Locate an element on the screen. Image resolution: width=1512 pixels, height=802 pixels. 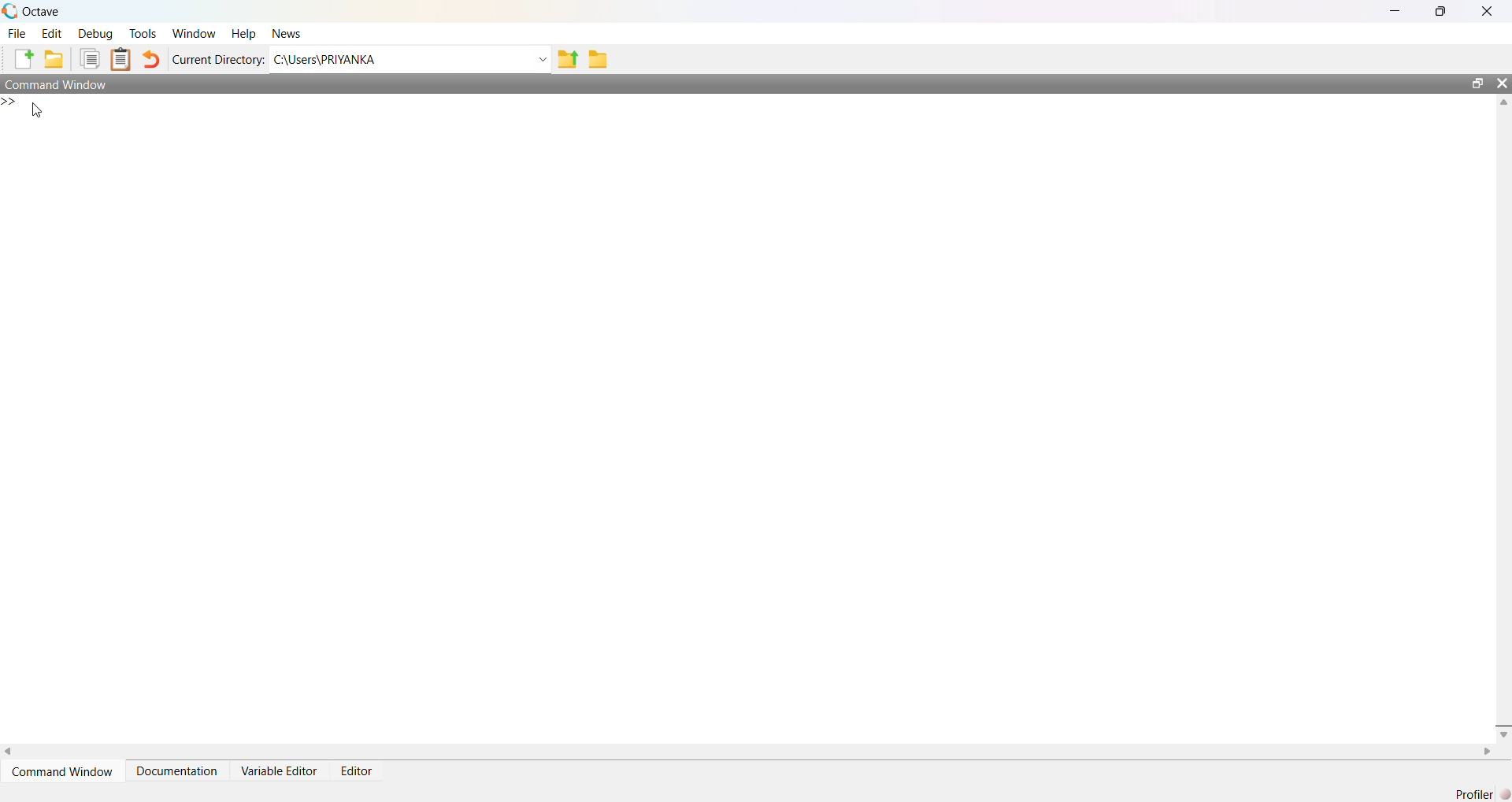
copy is located at coordinates (90, 58).